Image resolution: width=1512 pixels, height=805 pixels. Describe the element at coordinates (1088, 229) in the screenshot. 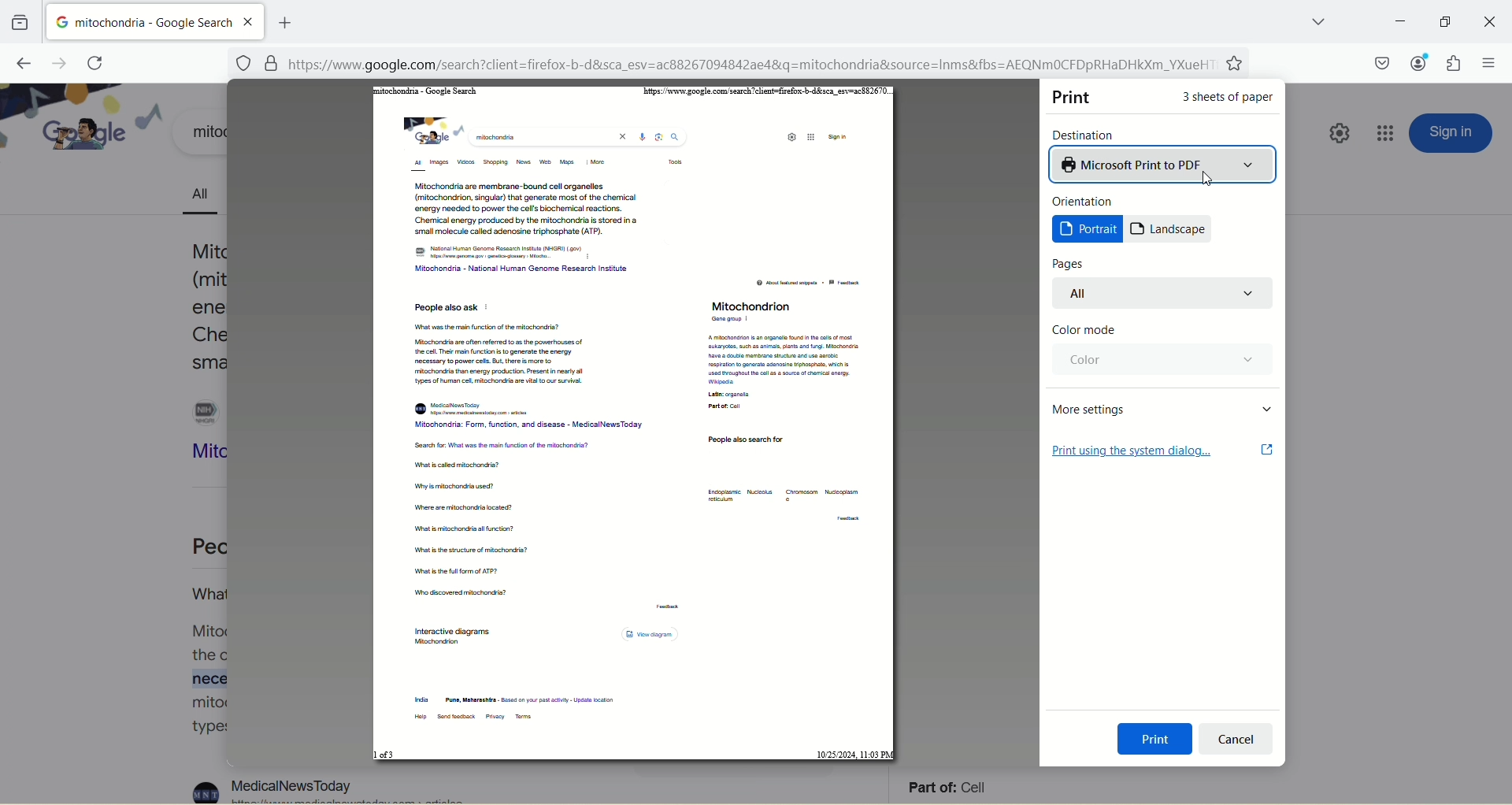

I see `portrait` at that location.